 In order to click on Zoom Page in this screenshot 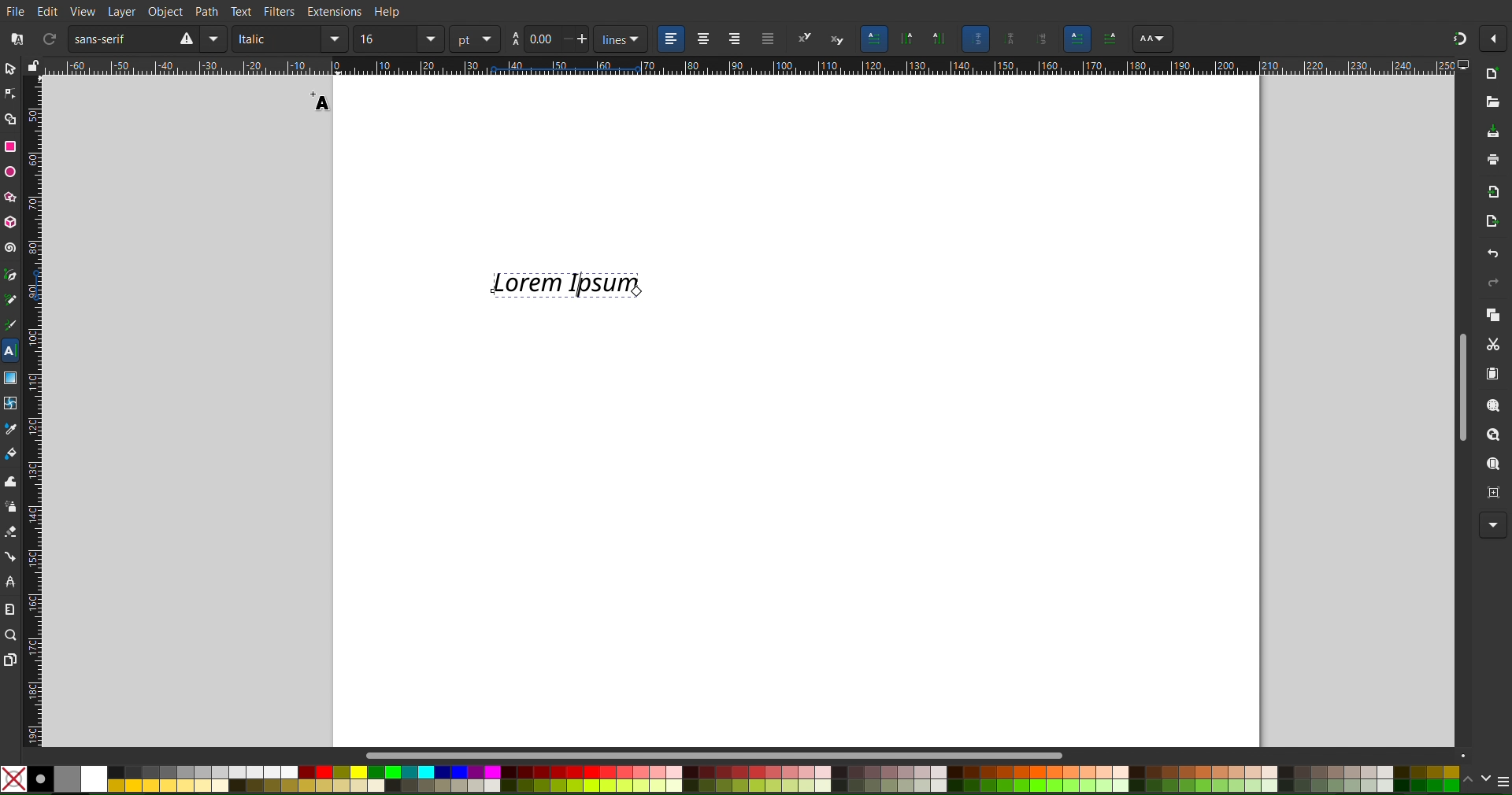, I will do `click(1488, 465)`.